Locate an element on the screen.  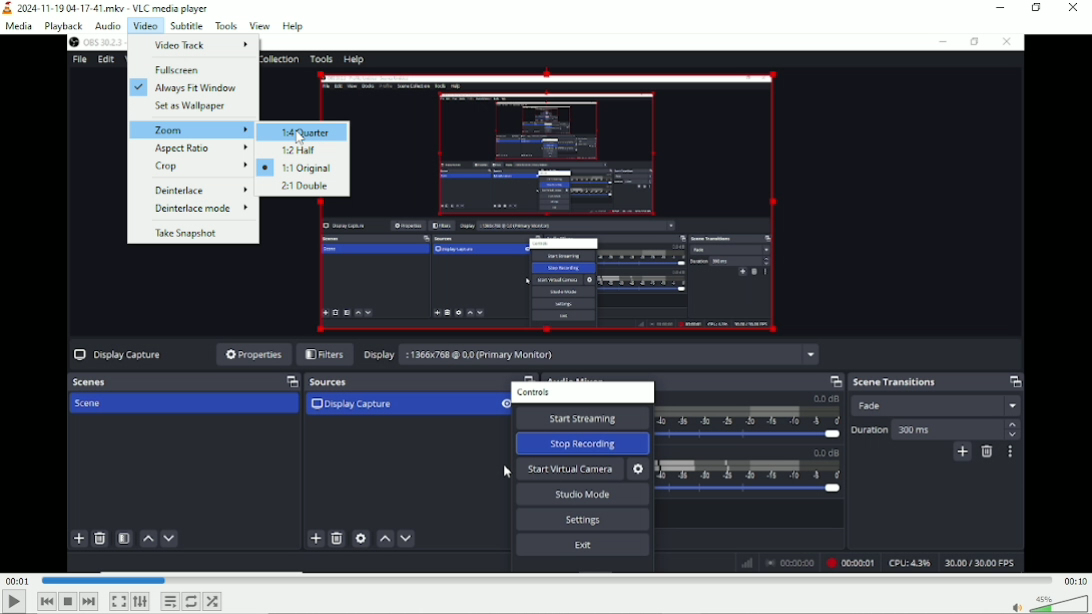
restore down is located at coordinates (1038, 8).